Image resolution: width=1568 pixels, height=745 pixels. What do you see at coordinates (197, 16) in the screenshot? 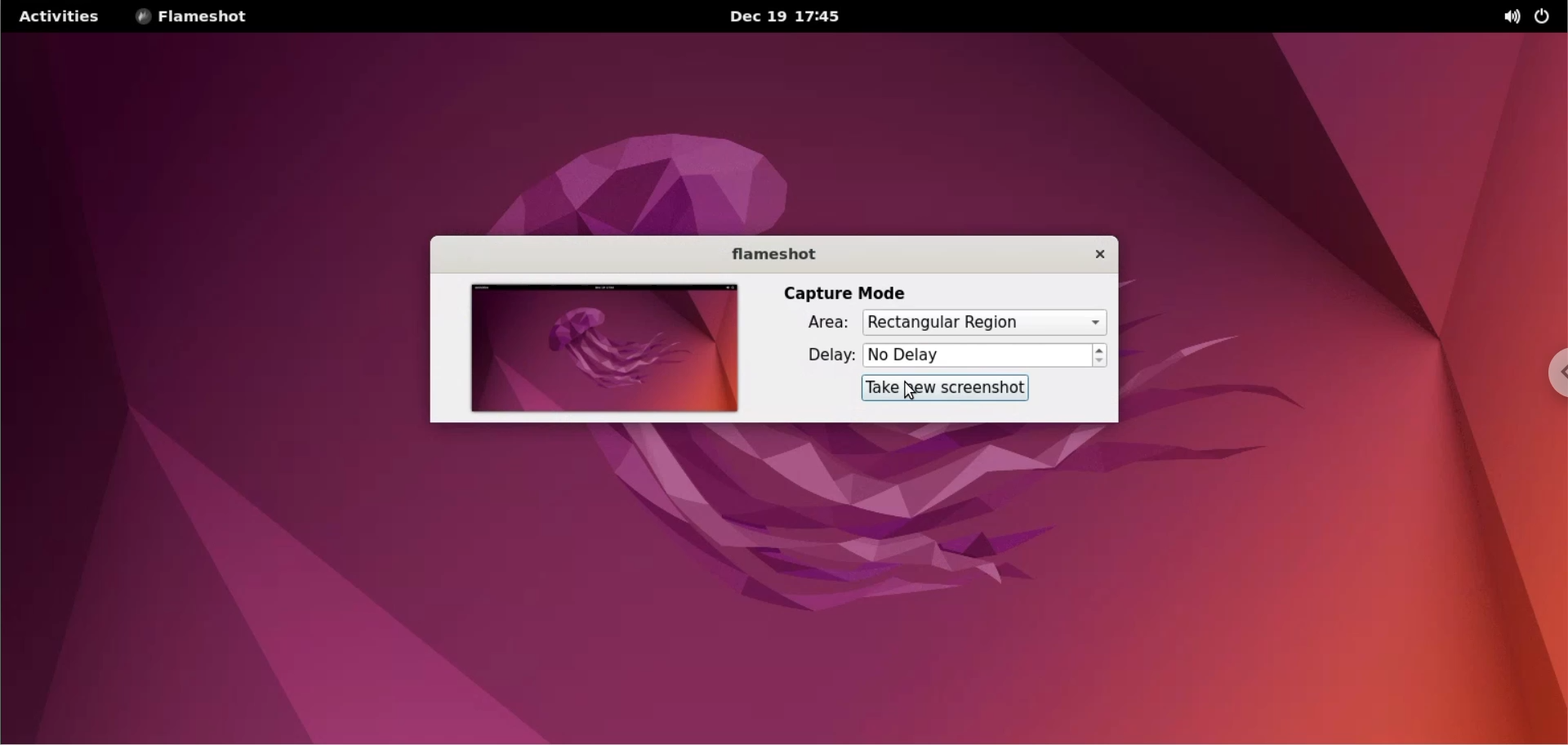
I see `flameshot options` at bounding box center [197, 16].